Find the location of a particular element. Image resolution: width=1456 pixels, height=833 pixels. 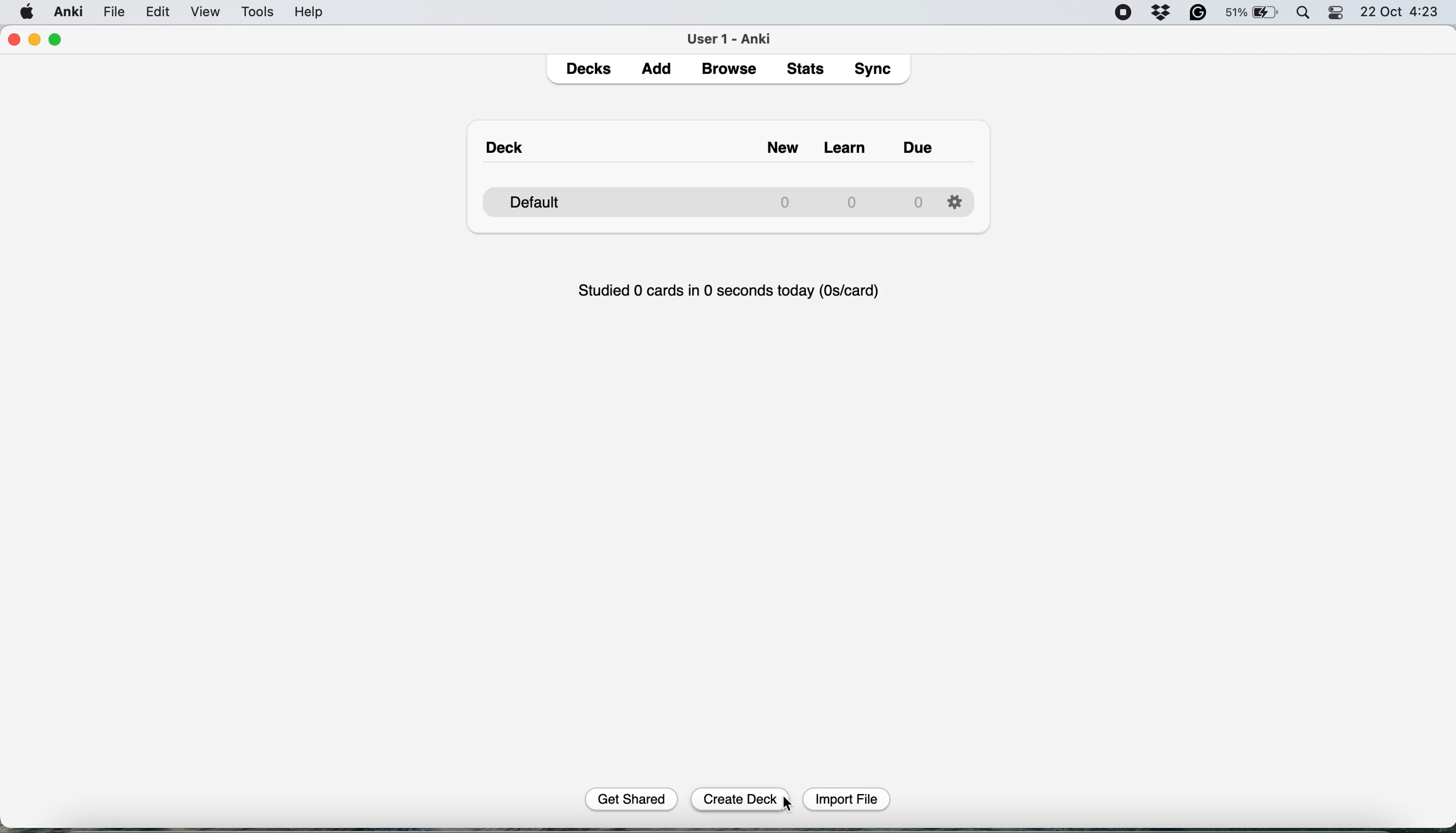

screen recorder is located at coordinates (1127, 12).